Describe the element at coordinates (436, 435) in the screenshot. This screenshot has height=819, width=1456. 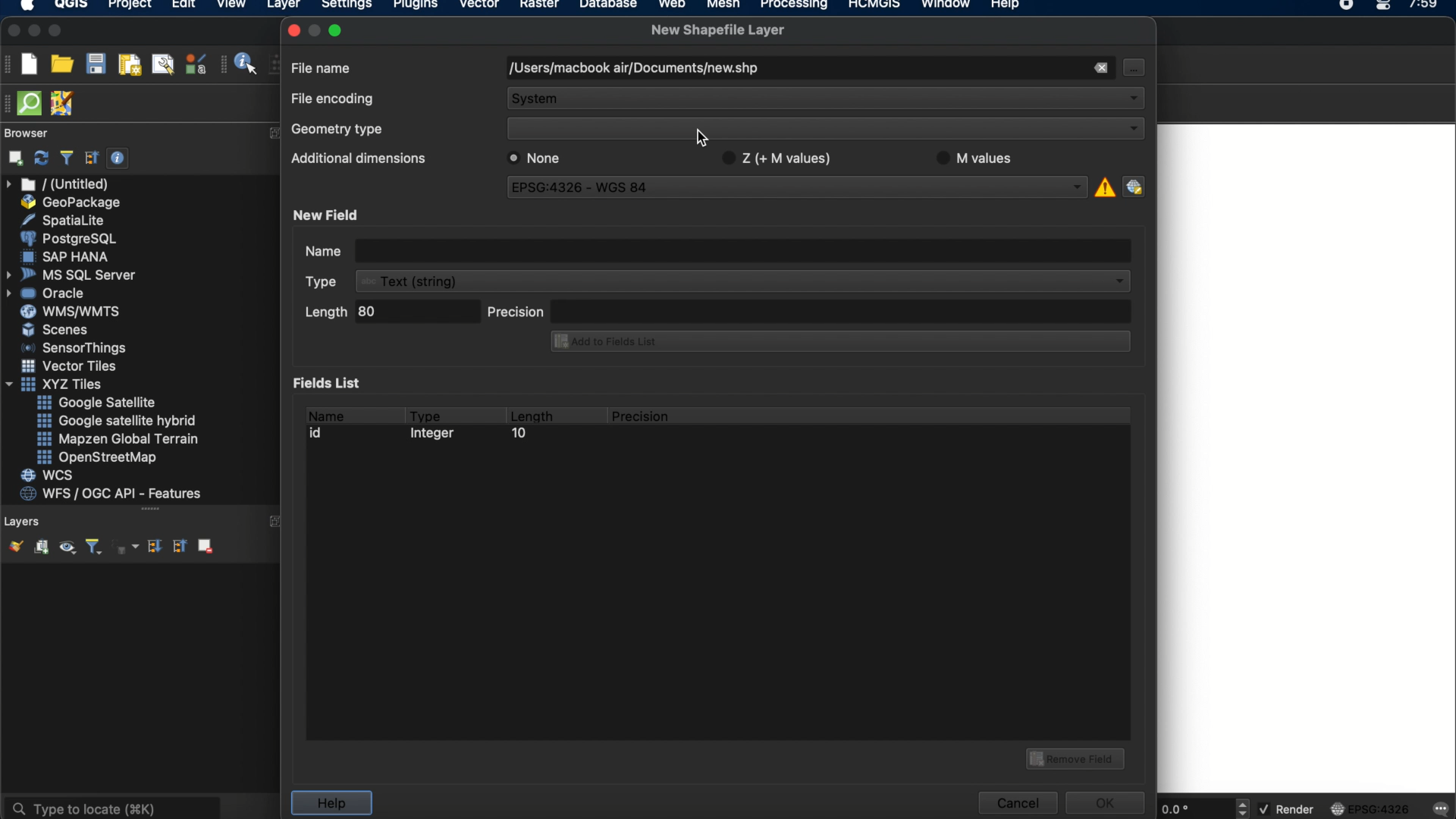
I see `integer` at that location.